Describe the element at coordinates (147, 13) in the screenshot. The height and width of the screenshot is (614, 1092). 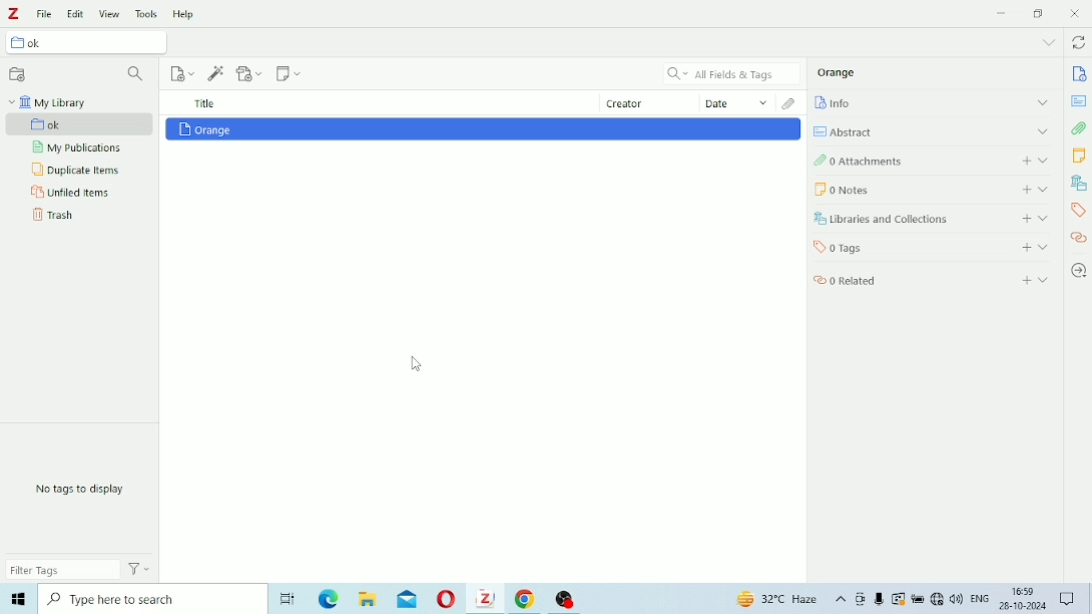
I see `Tools` at that location.